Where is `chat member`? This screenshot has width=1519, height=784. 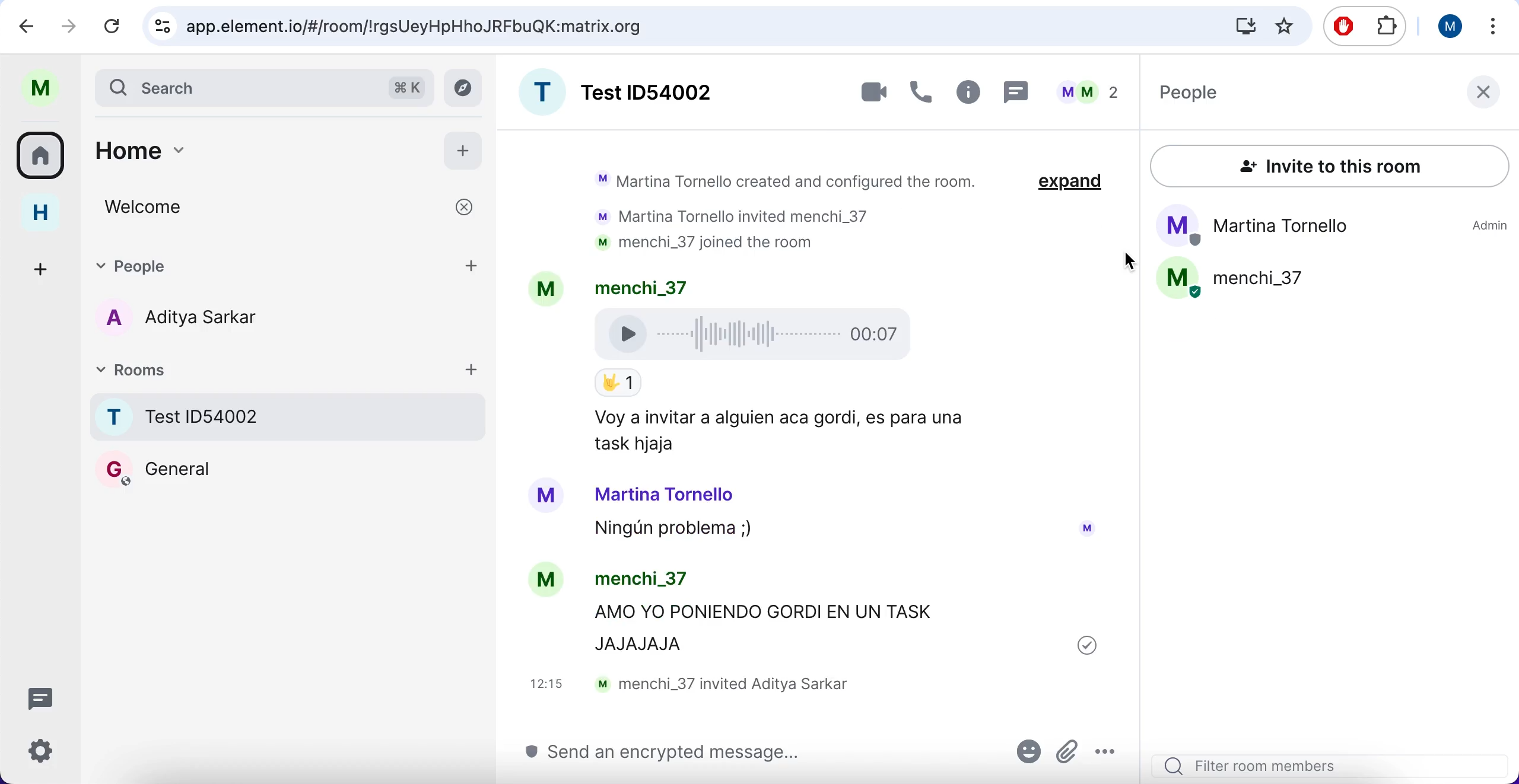 chat member is located at coordinates (275, 317).